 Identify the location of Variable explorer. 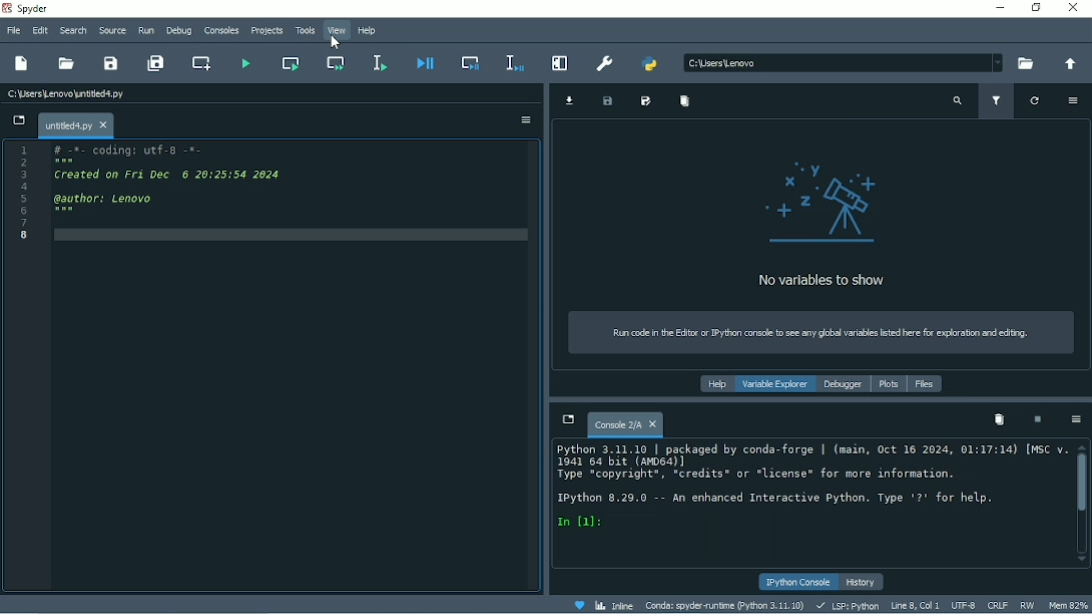
(775, 384).